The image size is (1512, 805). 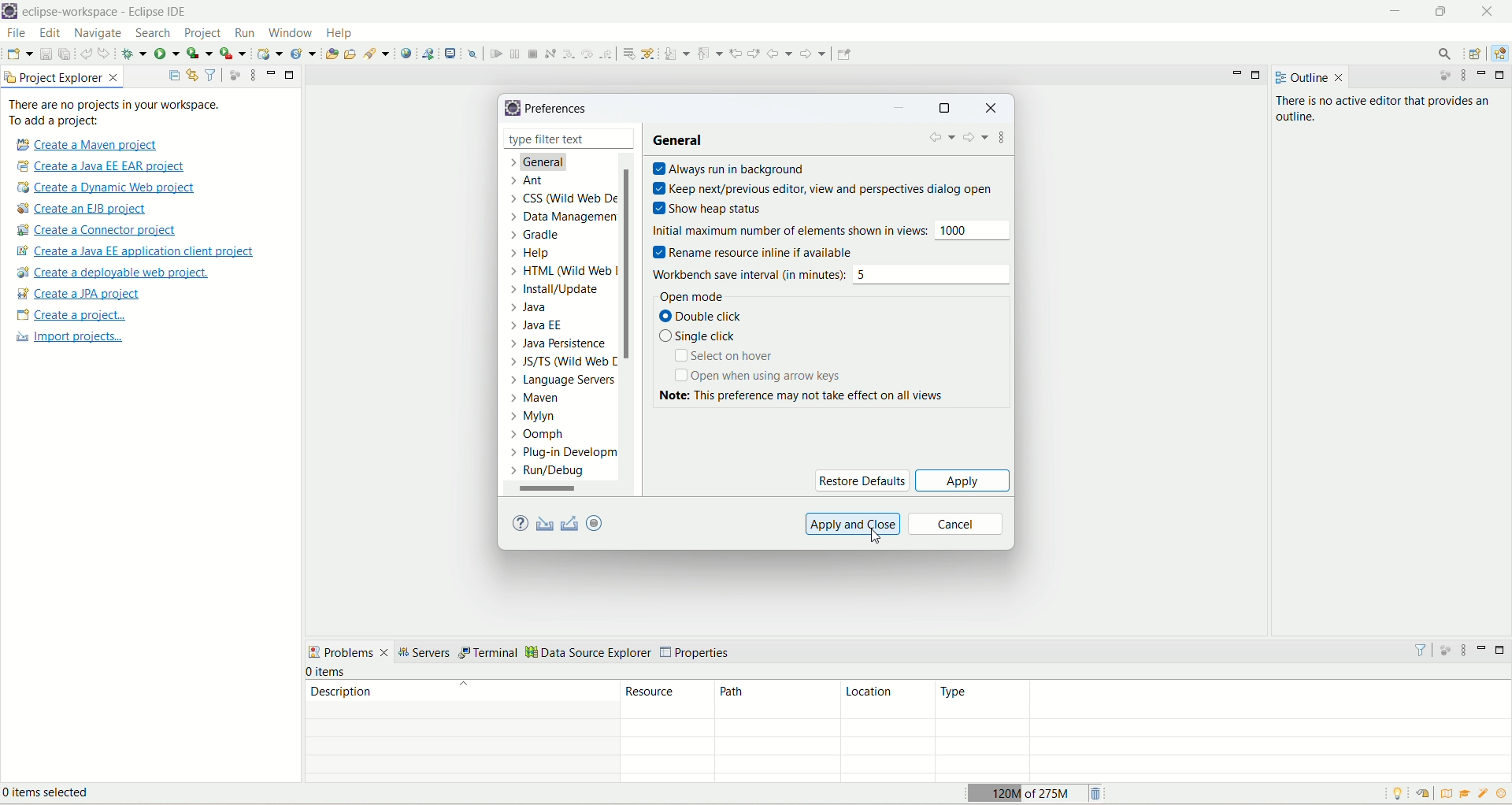 I want to click on disconnect, so click(x=550, y=53).